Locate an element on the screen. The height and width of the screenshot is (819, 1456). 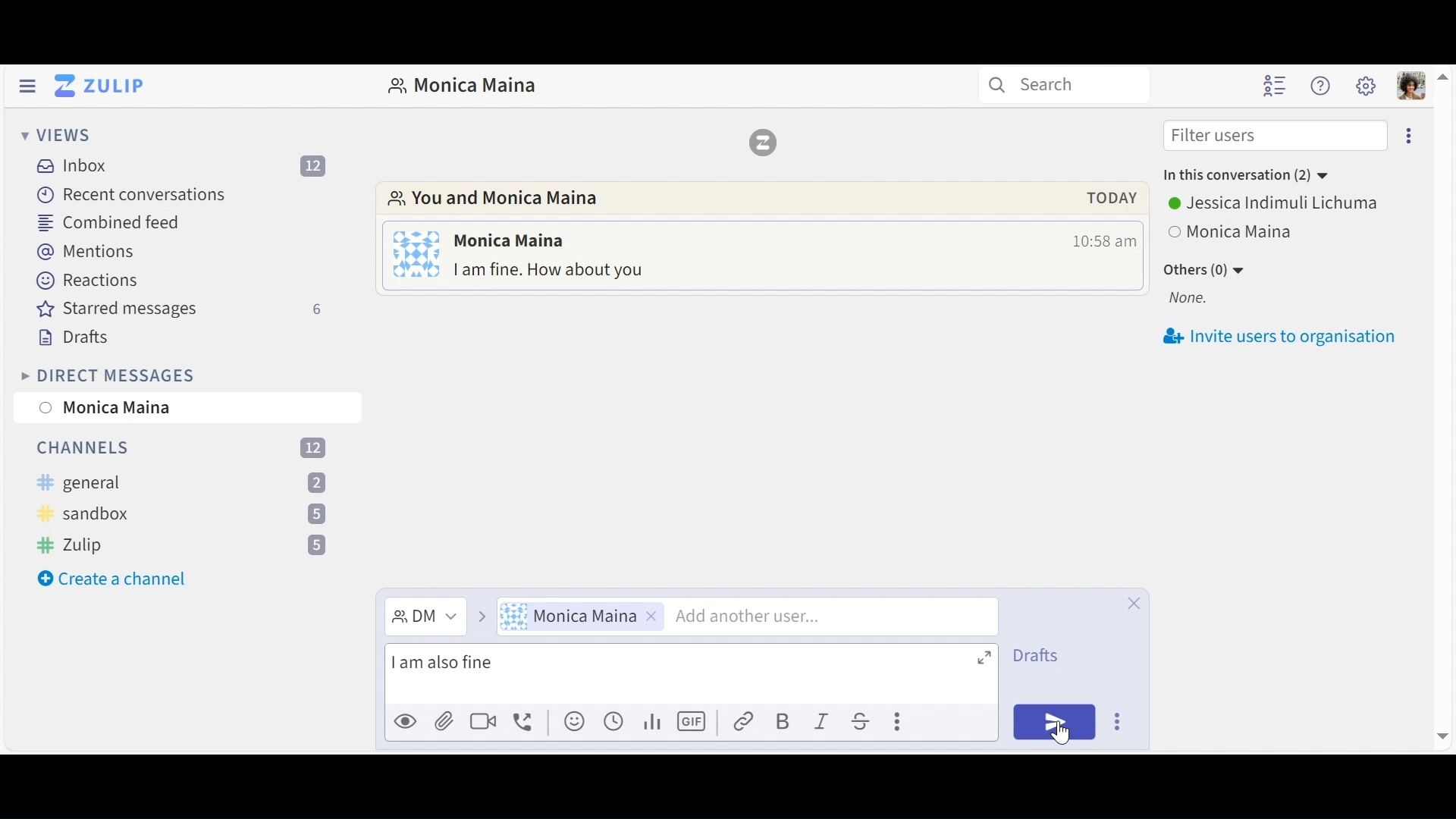
Add poll is located at coordinates (654, 723).